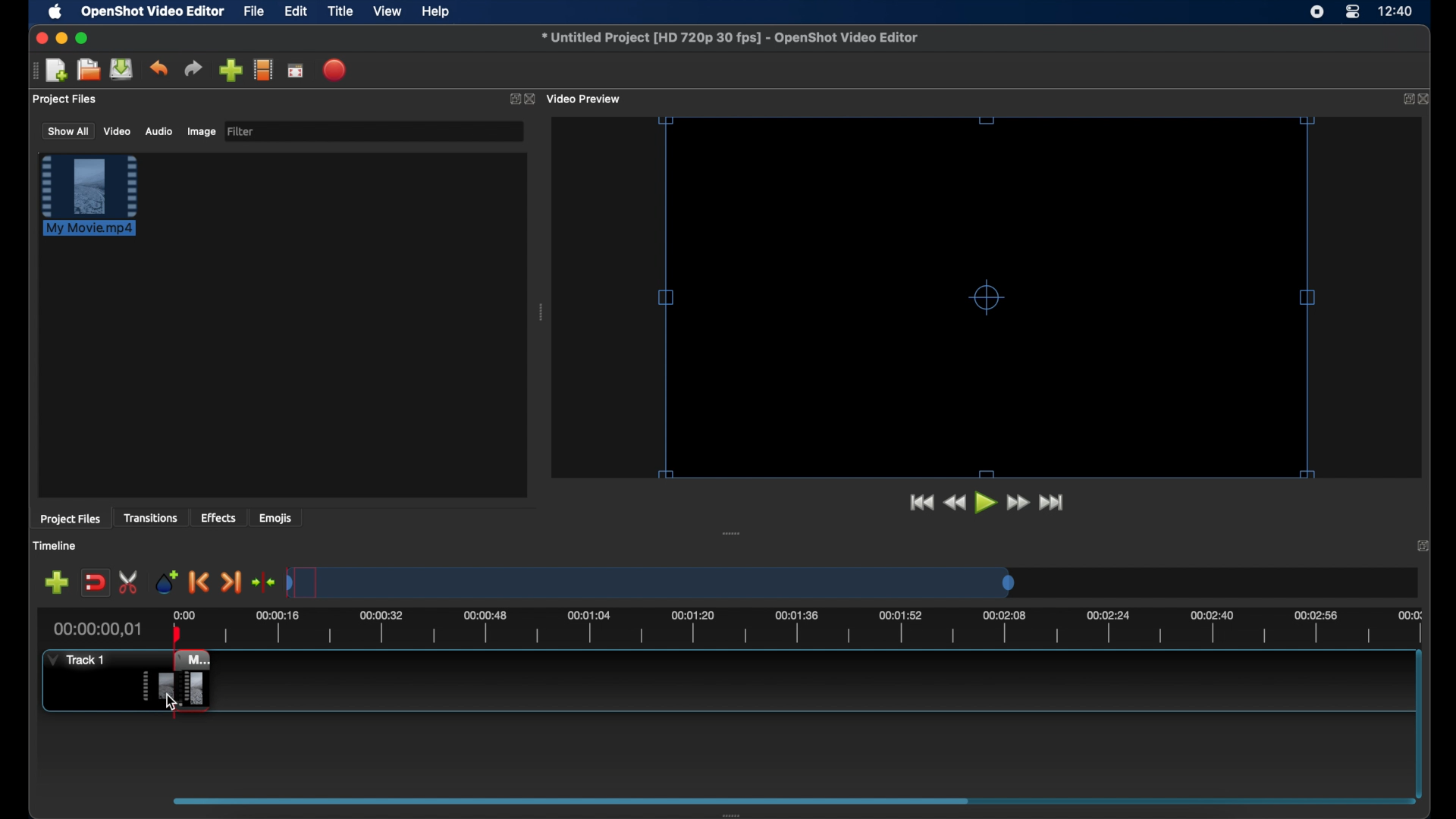 Image resolution: width=1456 pixels, height=819 pixels. Describe the element at coordinates (262, 69) in the screenshot. I see `explore profiles` at that location.